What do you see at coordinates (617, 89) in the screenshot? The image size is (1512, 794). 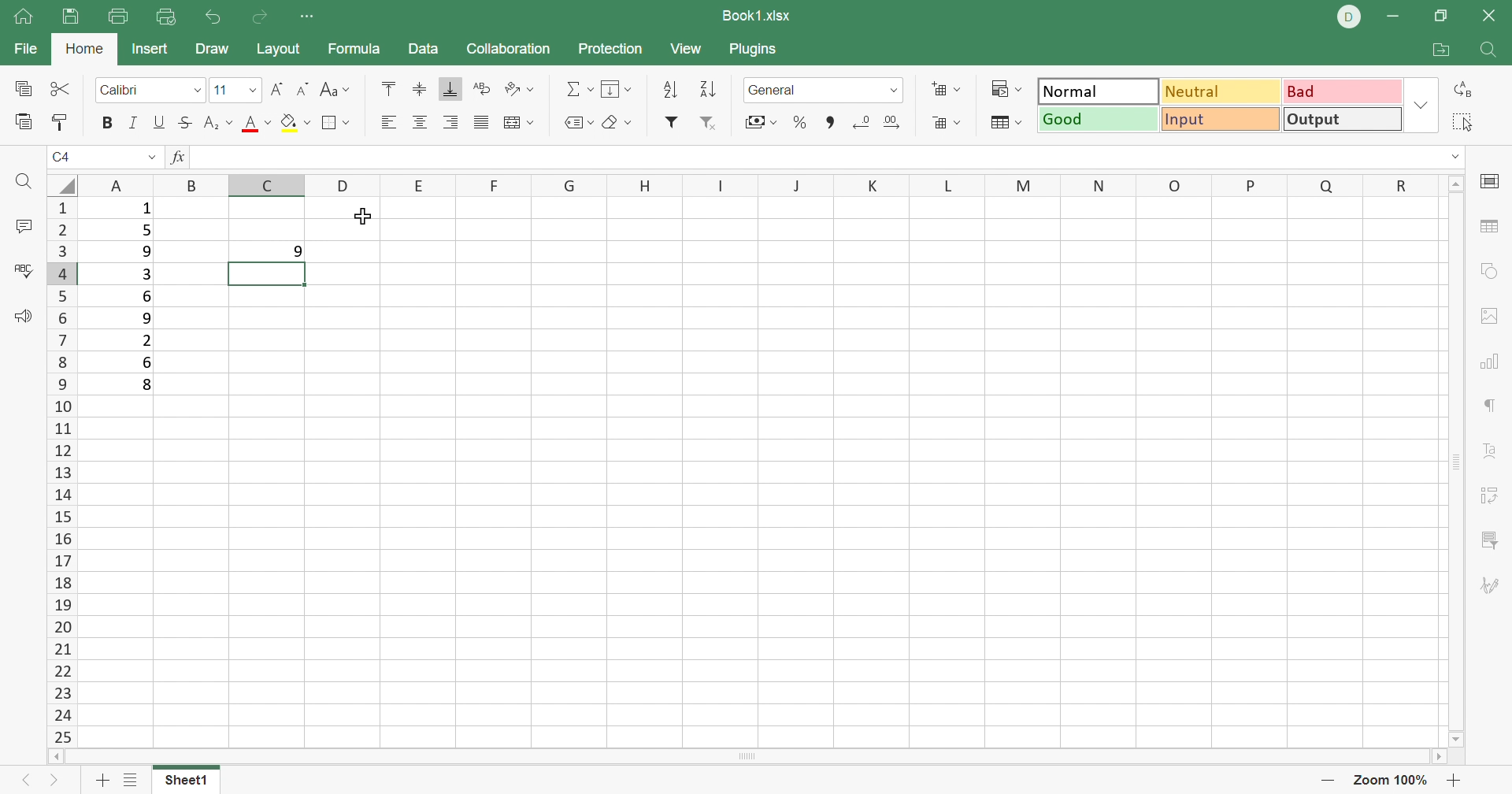 I see `Fill` at bounding box center [617, 89].